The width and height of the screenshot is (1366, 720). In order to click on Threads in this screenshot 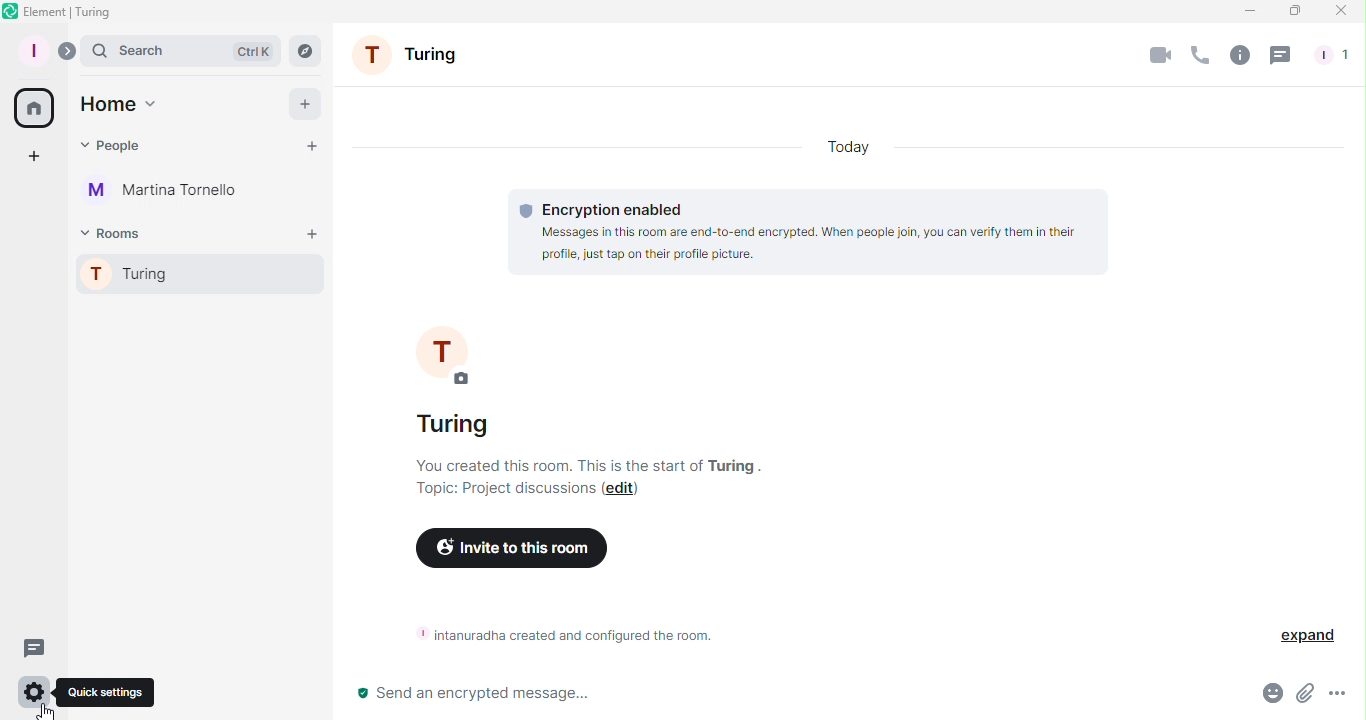, I will do `click(34, 648)`.